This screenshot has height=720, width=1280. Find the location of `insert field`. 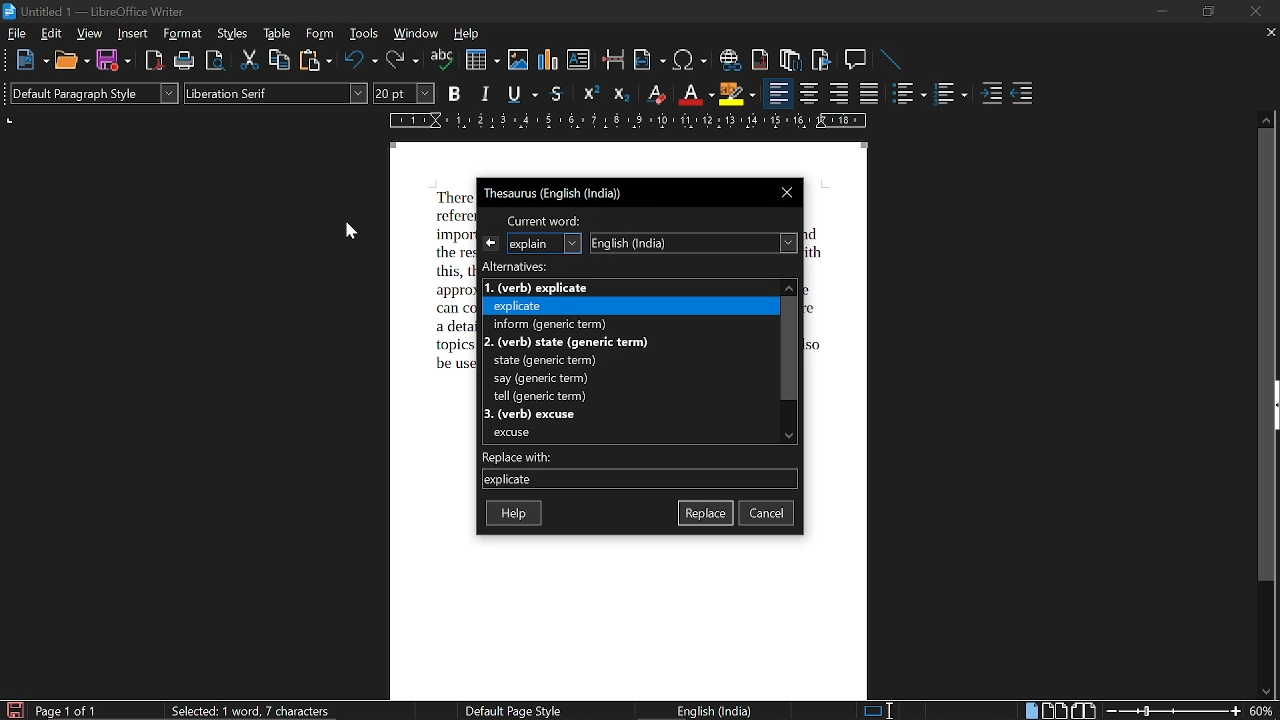

insert field is located at coordinates (650, 61).